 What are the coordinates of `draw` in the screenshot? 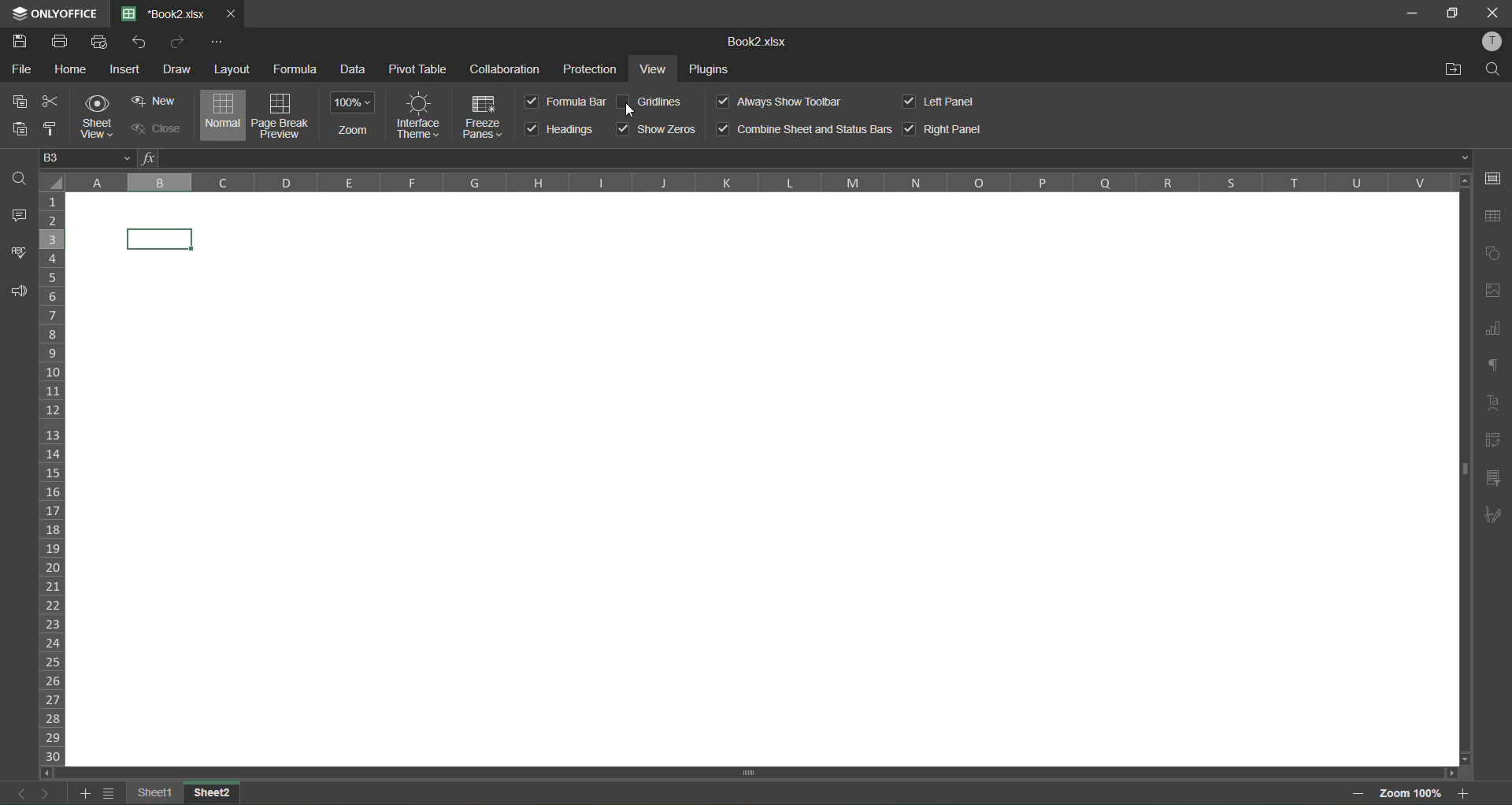 It's located at (179, 69).